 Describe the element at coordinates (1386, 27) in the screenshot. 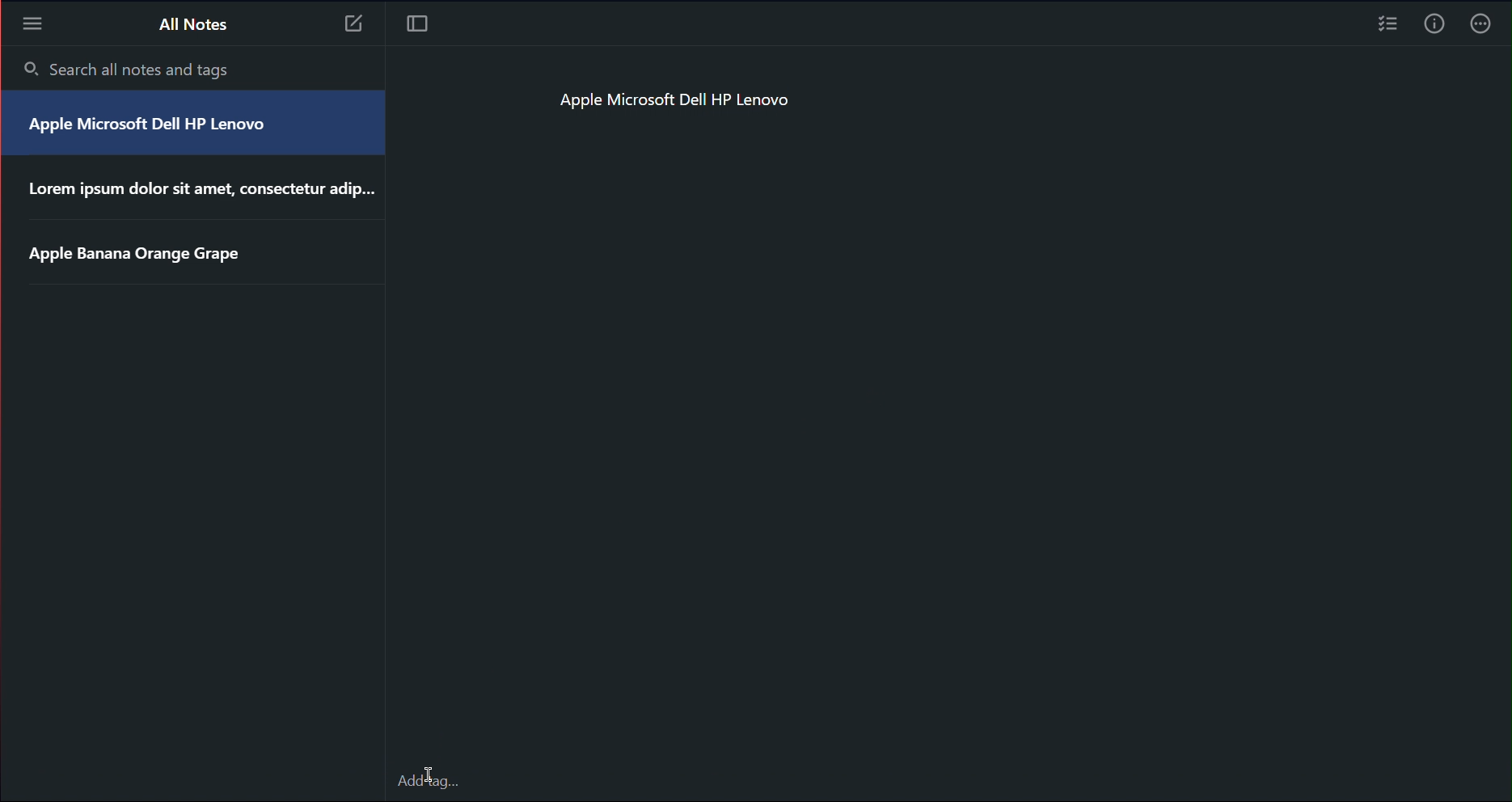

I see `Checklist` at that location.